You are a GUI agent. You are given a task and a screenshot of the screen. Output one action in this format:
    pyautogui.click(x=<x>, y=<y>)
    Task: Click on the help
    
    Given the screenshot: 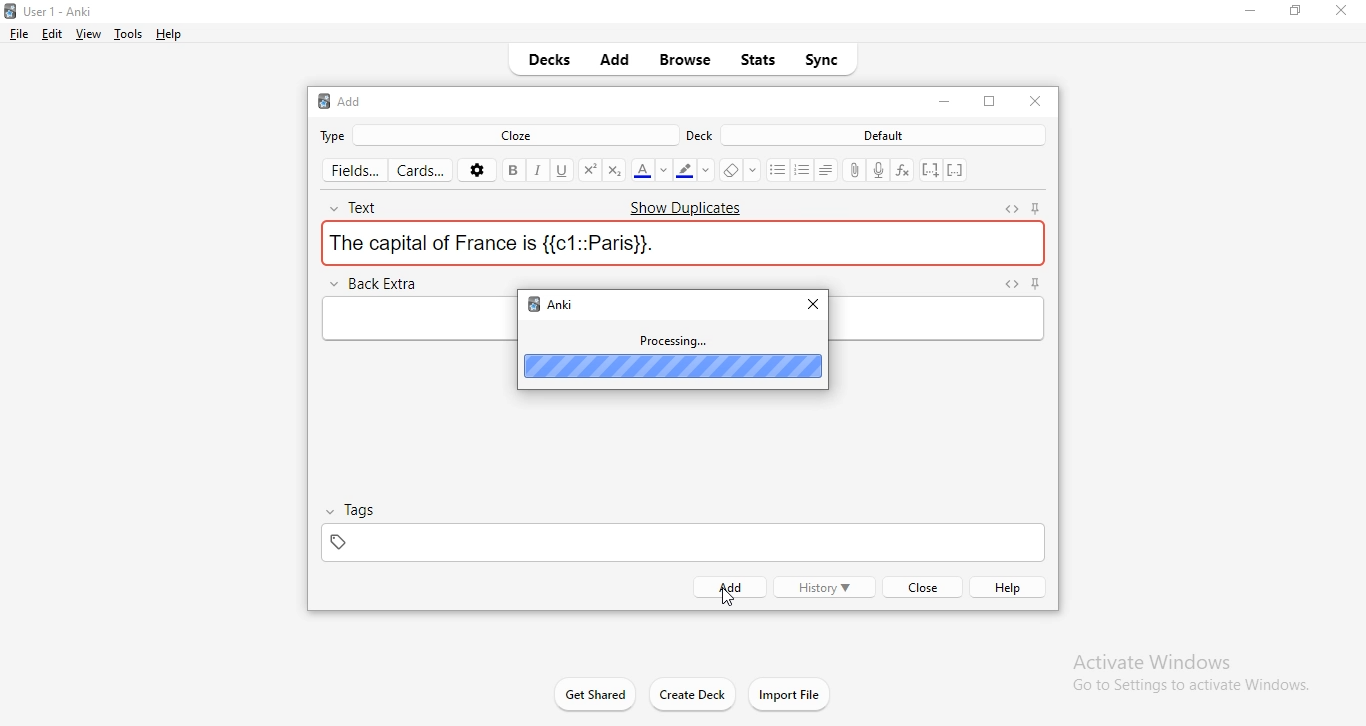 What is the action you would take?
    pyautogui.click(x=1011, y=587)
    